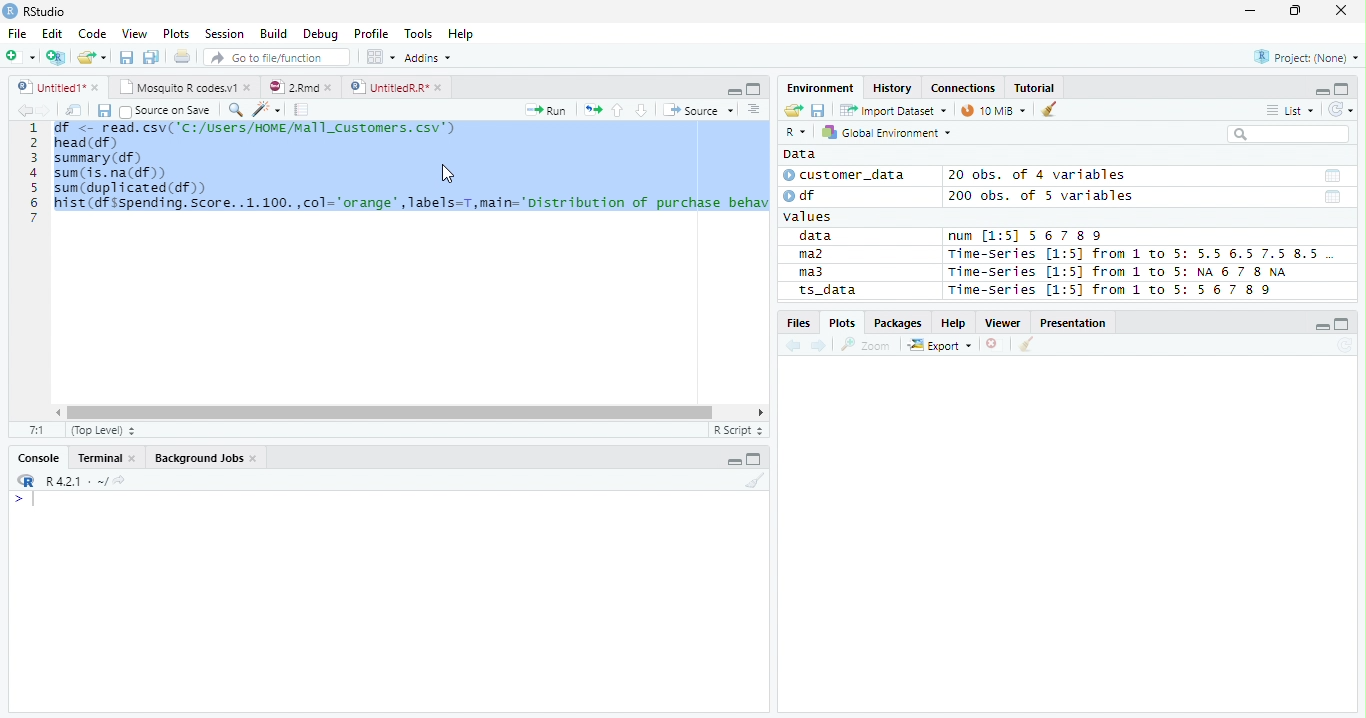 The width and height of the screenshot is (1366, 718). What do you see at coordinates (94, 34) in the screenshot?
I see `Code` at bounding box center [94, 34].